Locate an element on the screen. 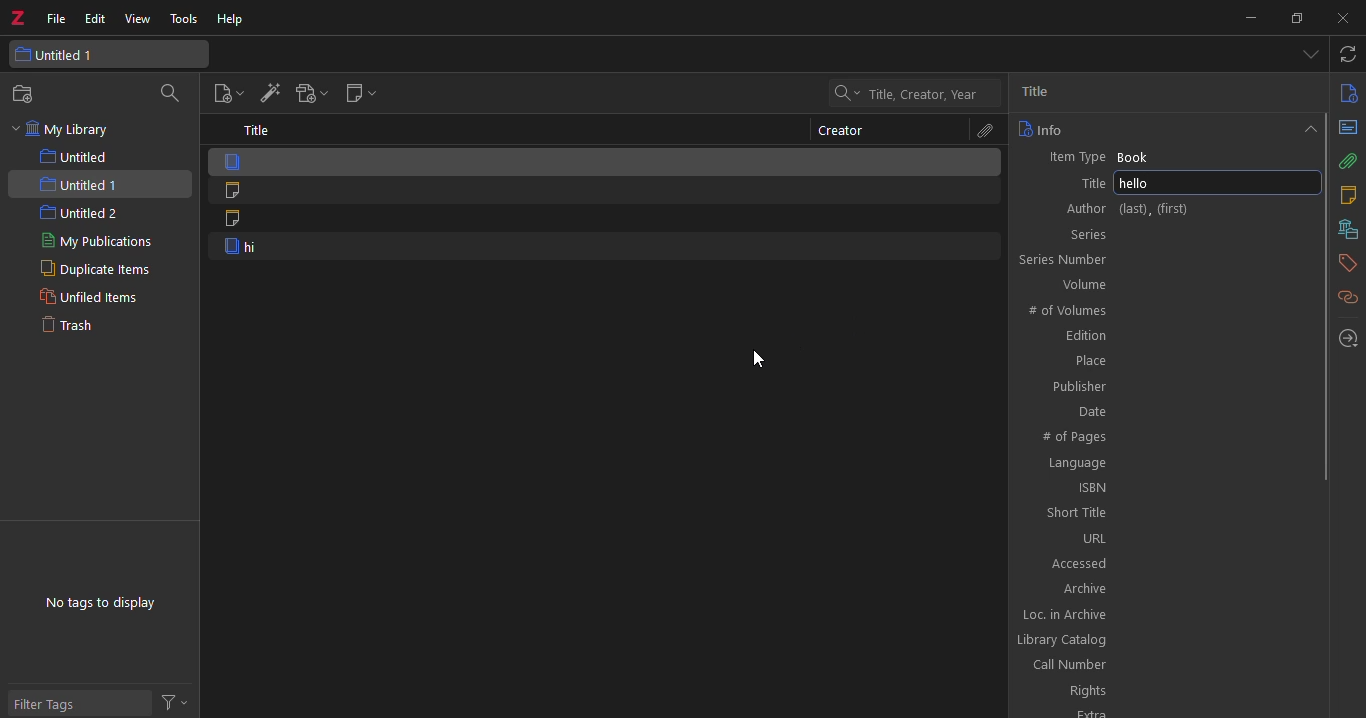 This screenshot has width=1366, height=718. add attach is located at coordinates (309, 96).